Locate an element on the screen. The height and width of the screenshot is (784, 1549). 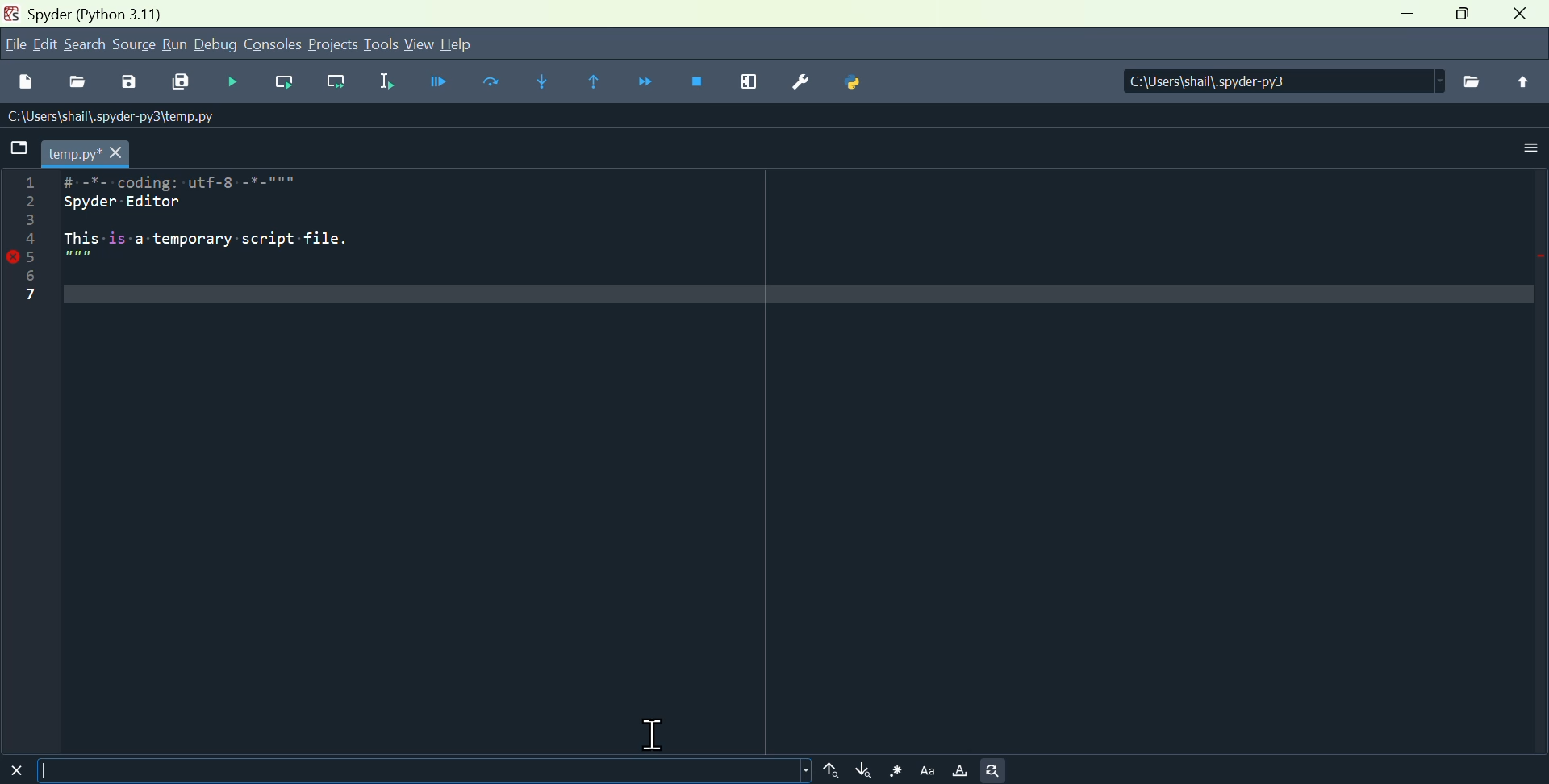
Restore is located at coordinates (1470, 15).